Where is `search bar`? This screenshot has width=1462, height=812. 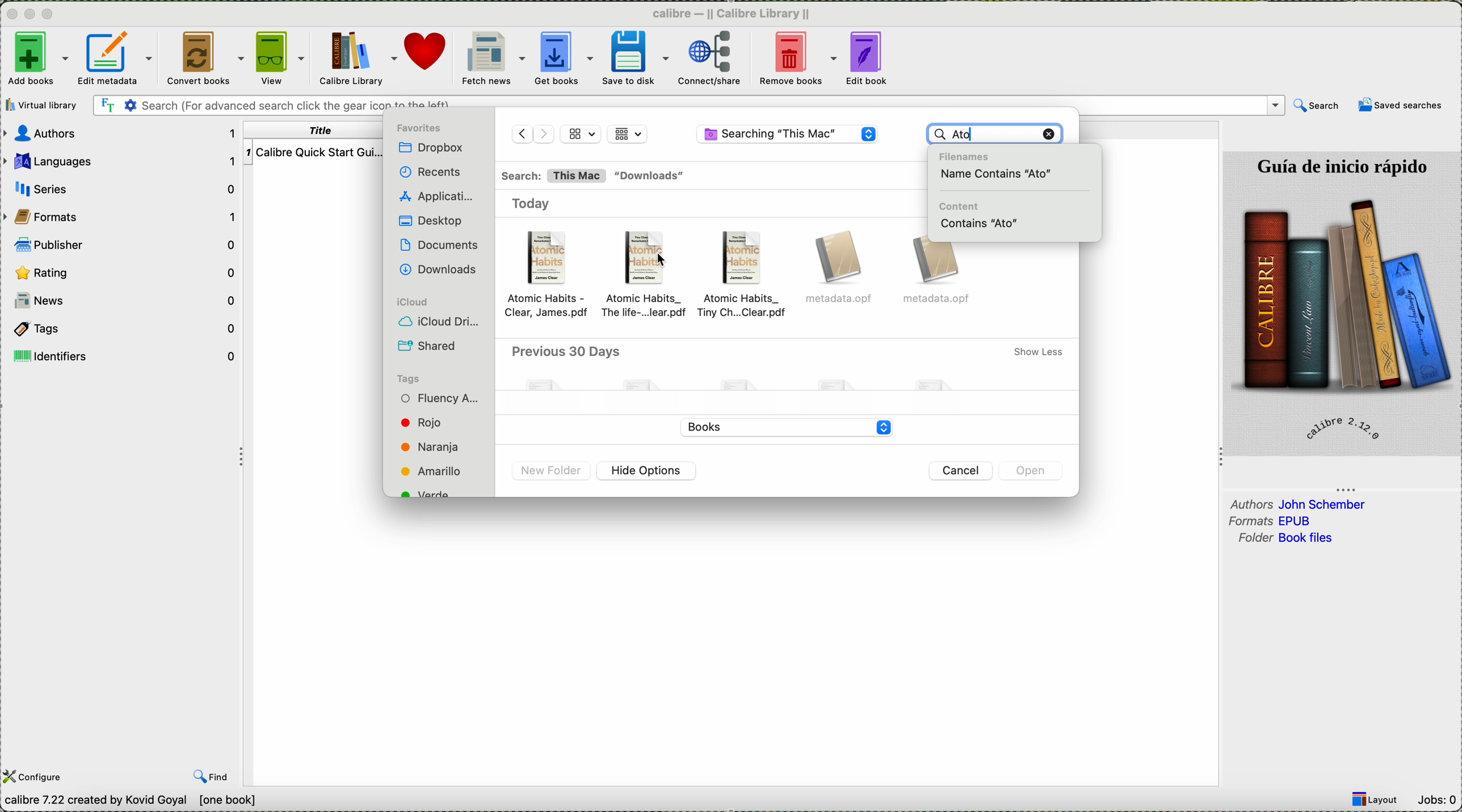 search bar is located at coordinates (688, 104).